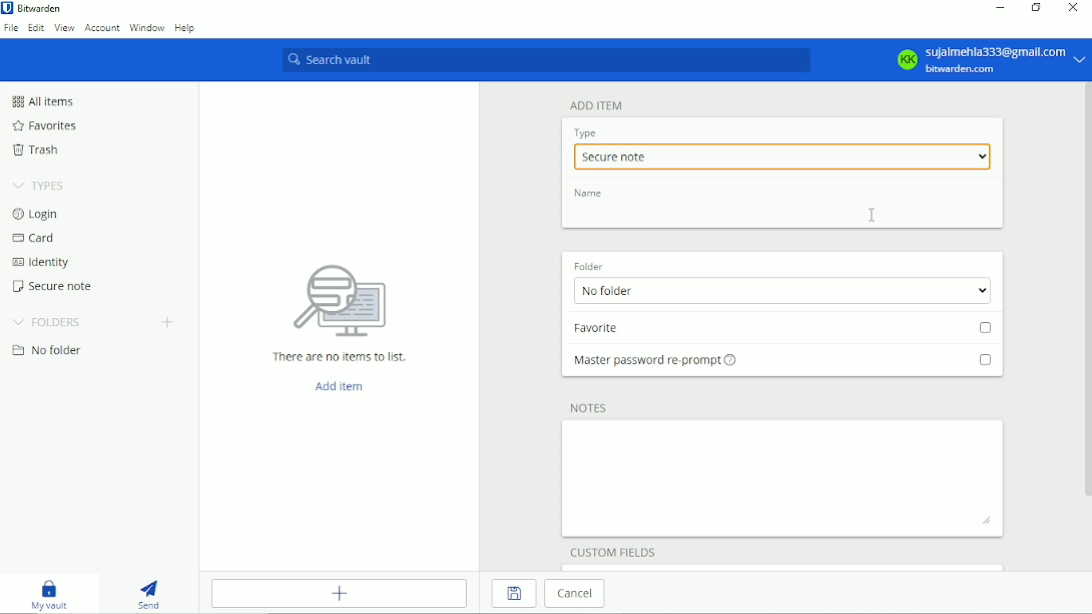 The image size is (1092, 614). What do you see at coordinates (782, 366) in the screenshot?
I see `Master password re-prompt` at bounding box center [782, 366].